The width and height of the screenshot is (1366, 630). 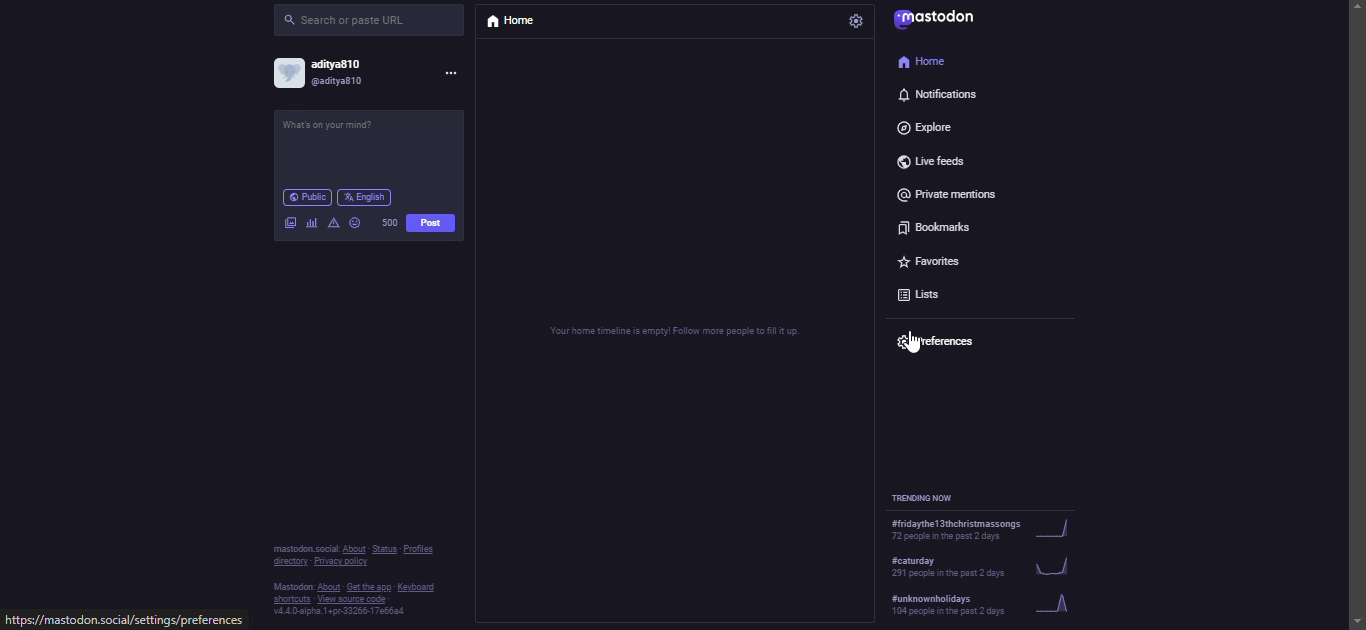 What do you see at coordinates (308, 223) in the screenshot?
I see `polls` at bounding box center [308, 223].